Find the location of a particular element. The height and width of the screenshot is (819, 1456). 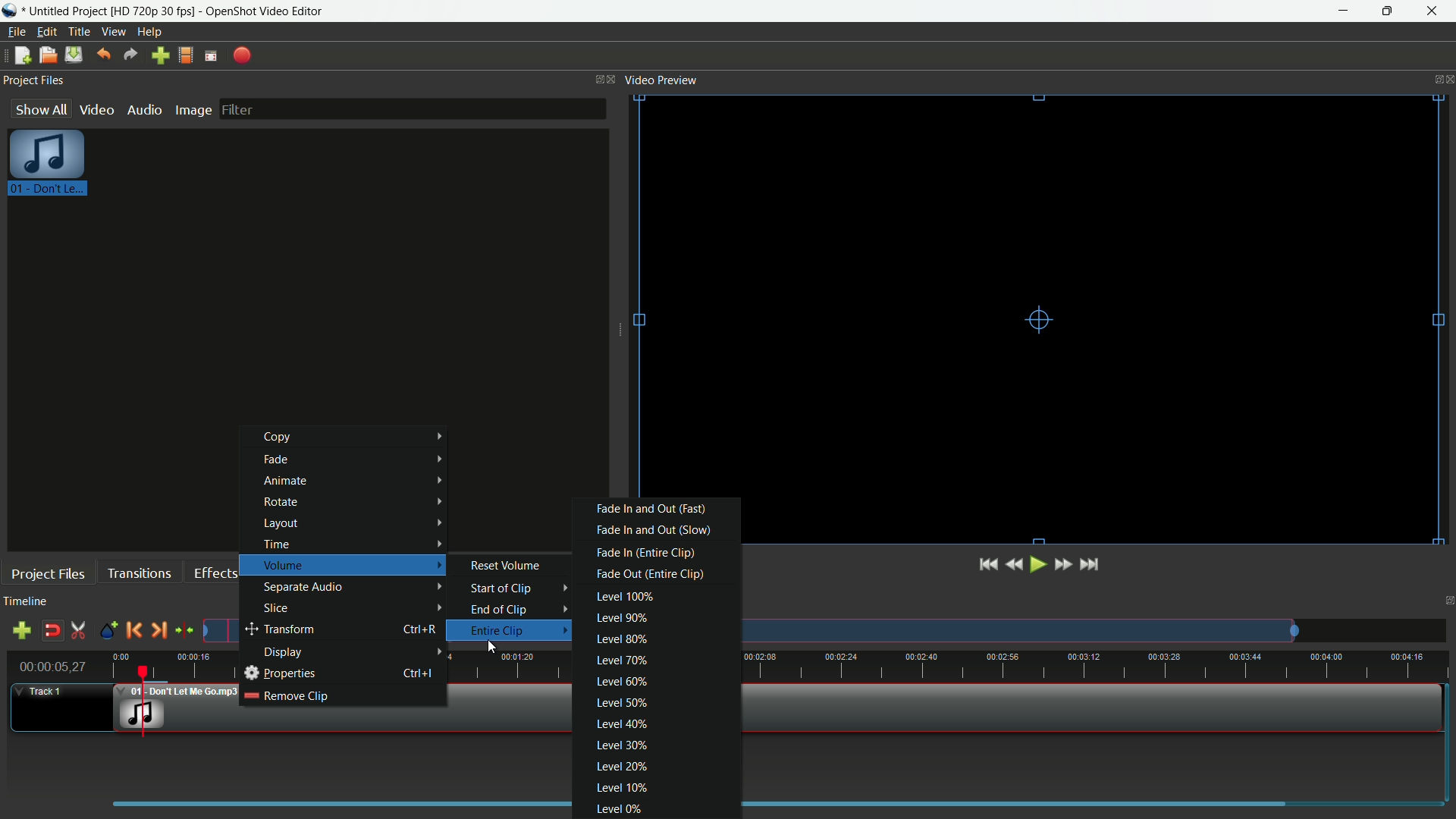

create marker is located at coordinates (106, 631).